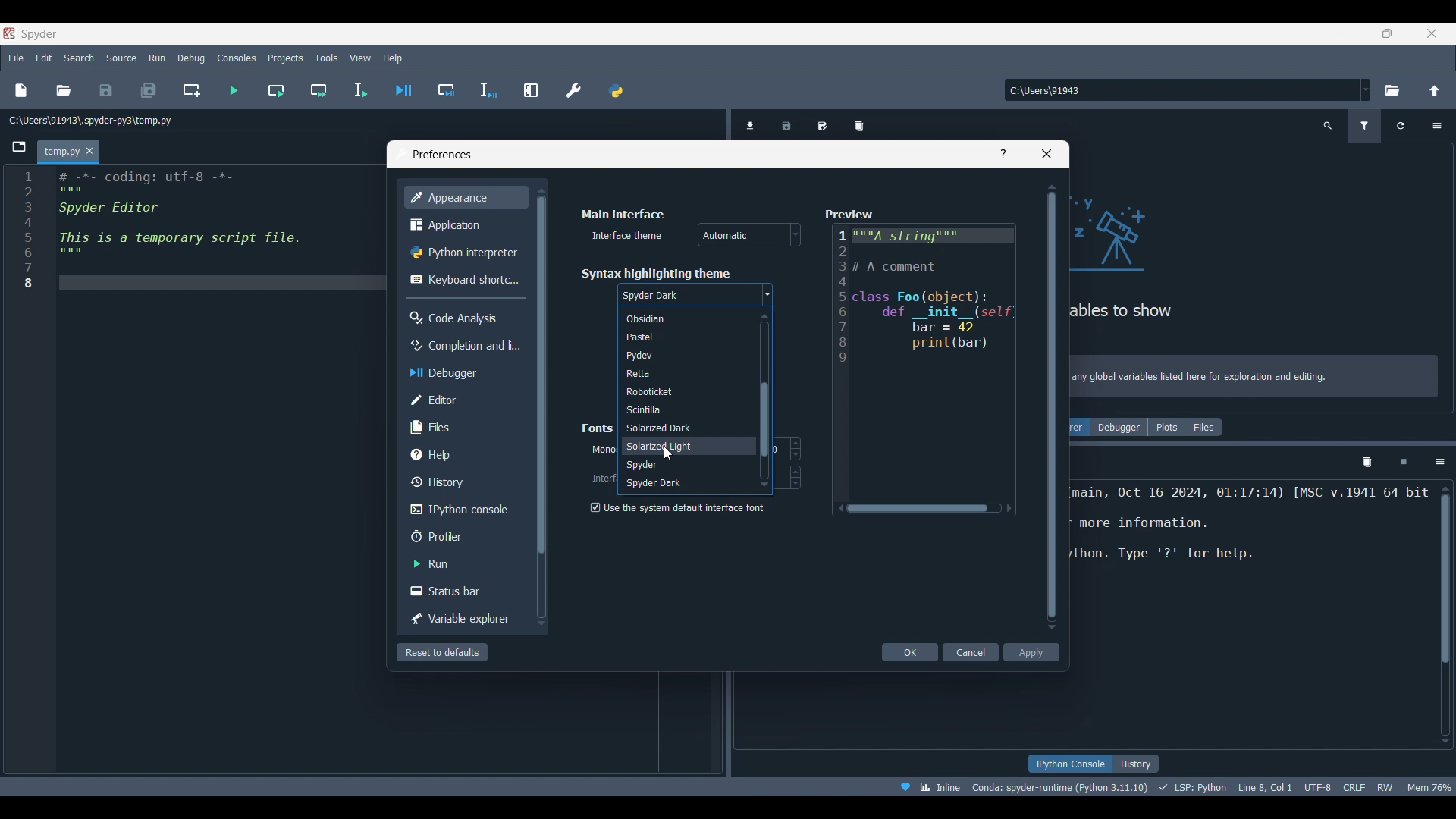 Image resolution: width=1456 pixels, height=819 pixels. What do you see at coordinates (21, 90) in the screenshot?
I see `New file` at bounding box center [21, 90].